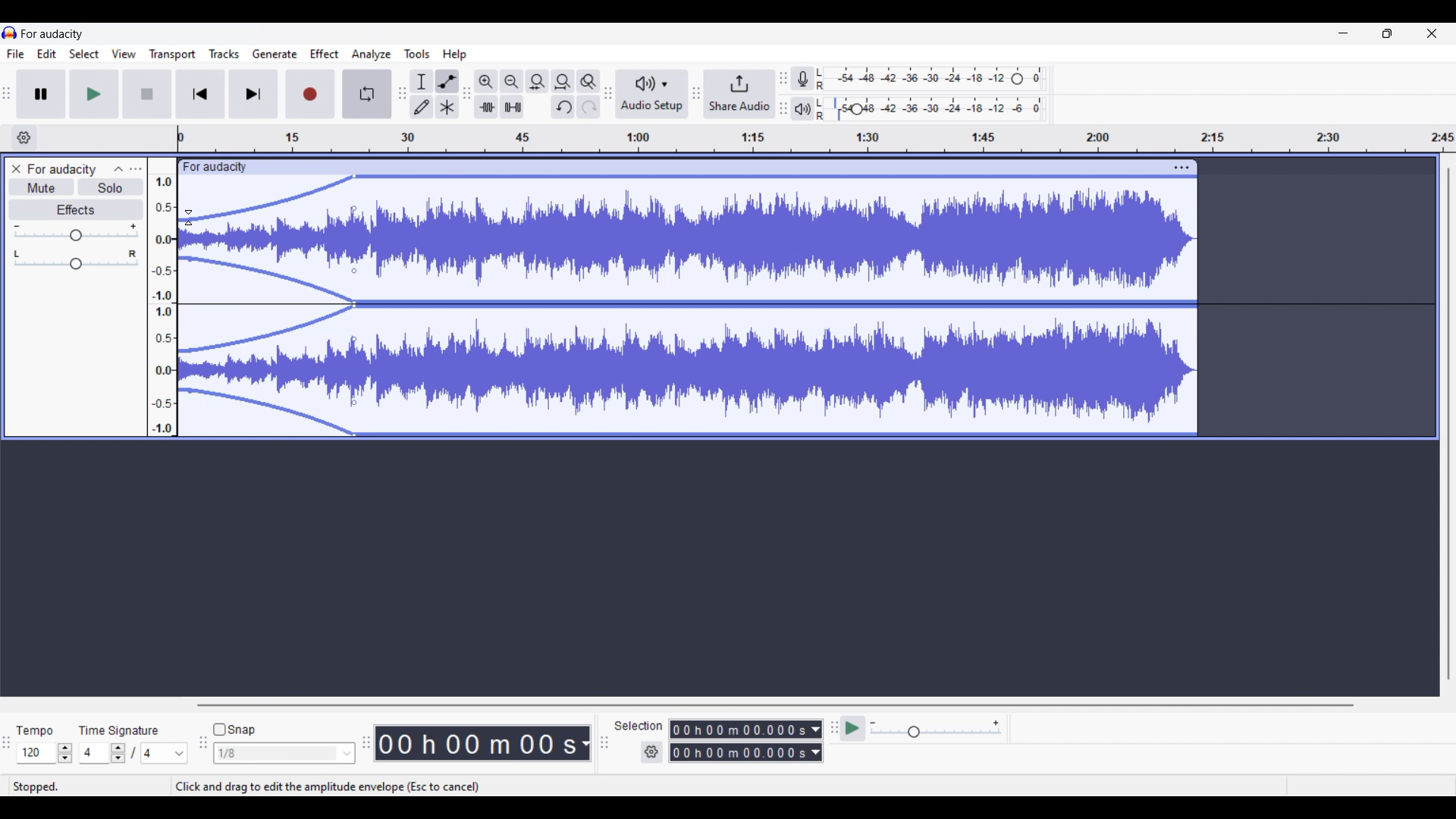 The width and height of the screenshot is (1456, 819). What do you see at coordinates (486, 81) in the screenshot?
I see `Zoom in` at bounding box center [486, 81].